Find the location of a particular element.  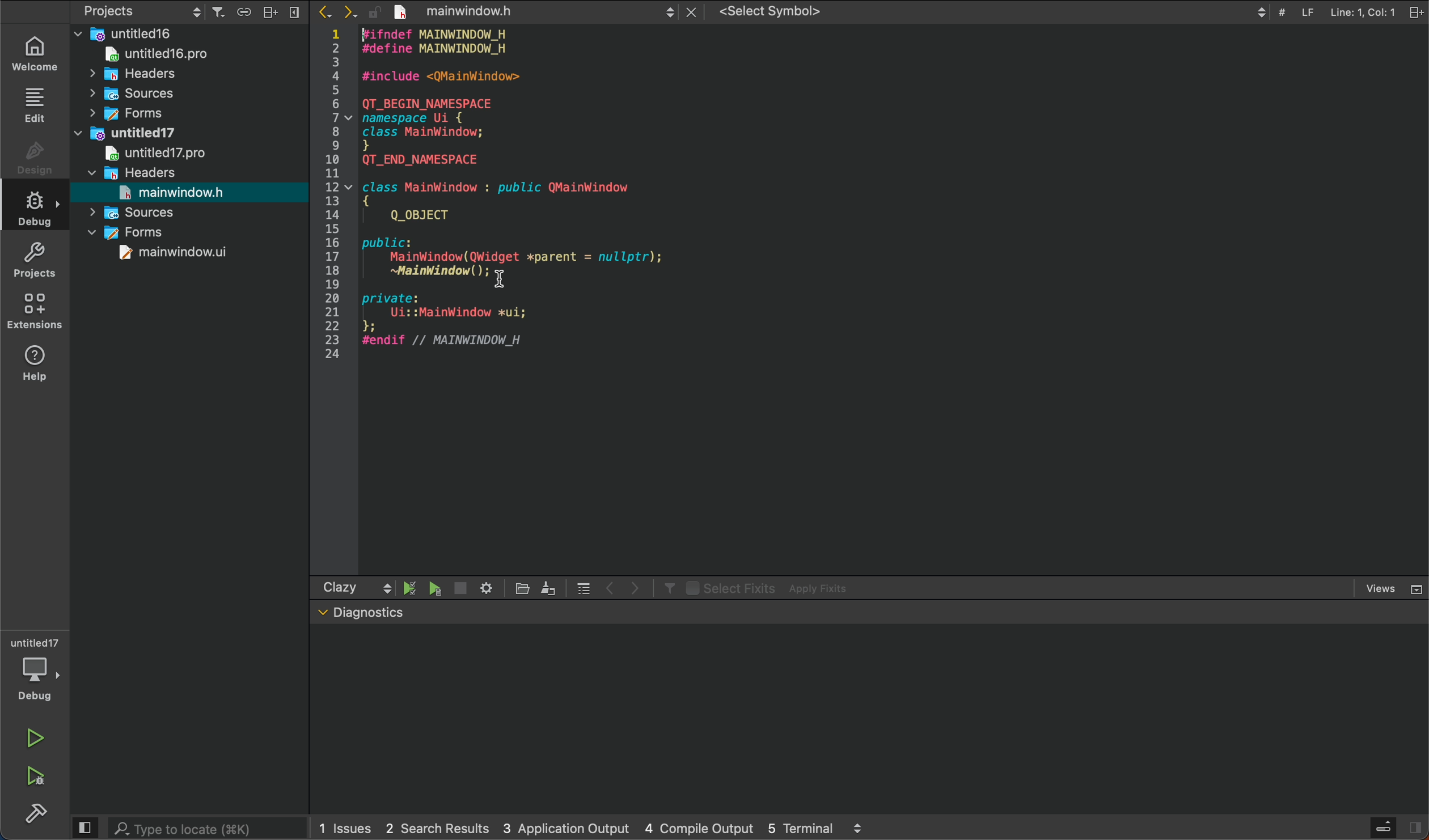

Diagnostics is located at coordinates (361, 613).